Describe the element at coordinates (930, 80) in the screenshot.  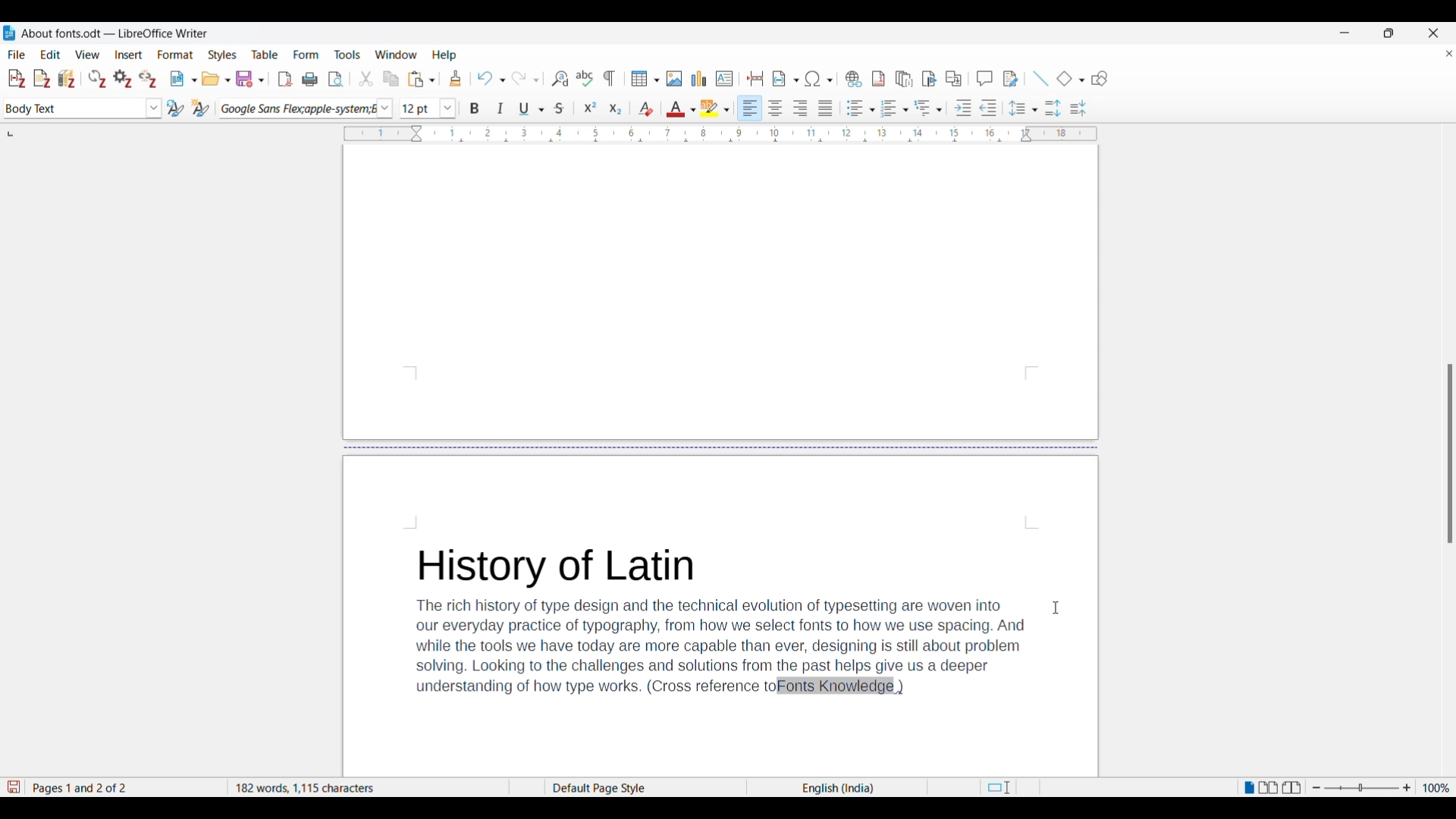
I see `Insert bookmark` at that location.